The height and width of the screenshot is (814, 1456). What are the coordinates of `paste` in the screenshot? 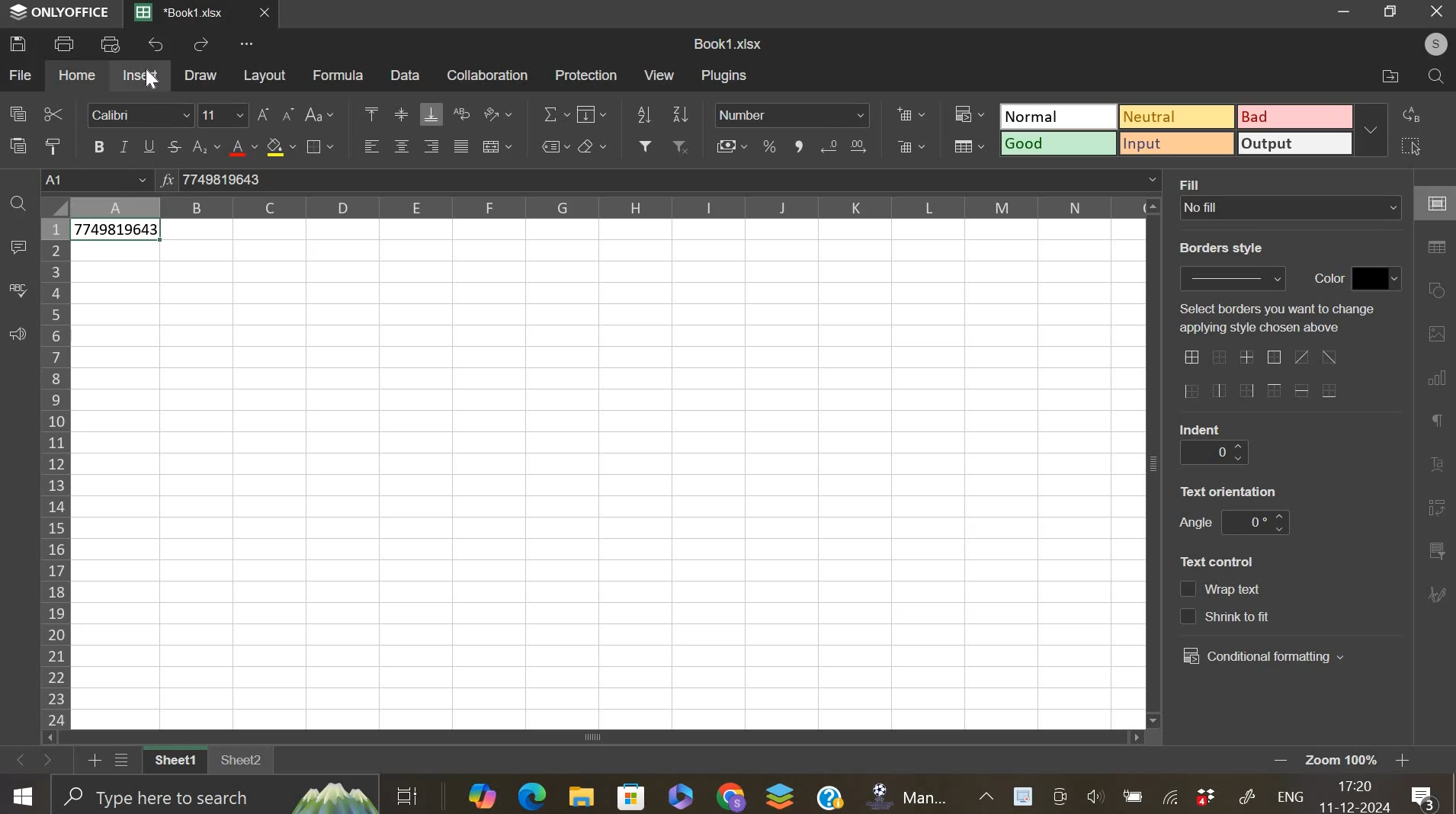 It's located at (20, 146).